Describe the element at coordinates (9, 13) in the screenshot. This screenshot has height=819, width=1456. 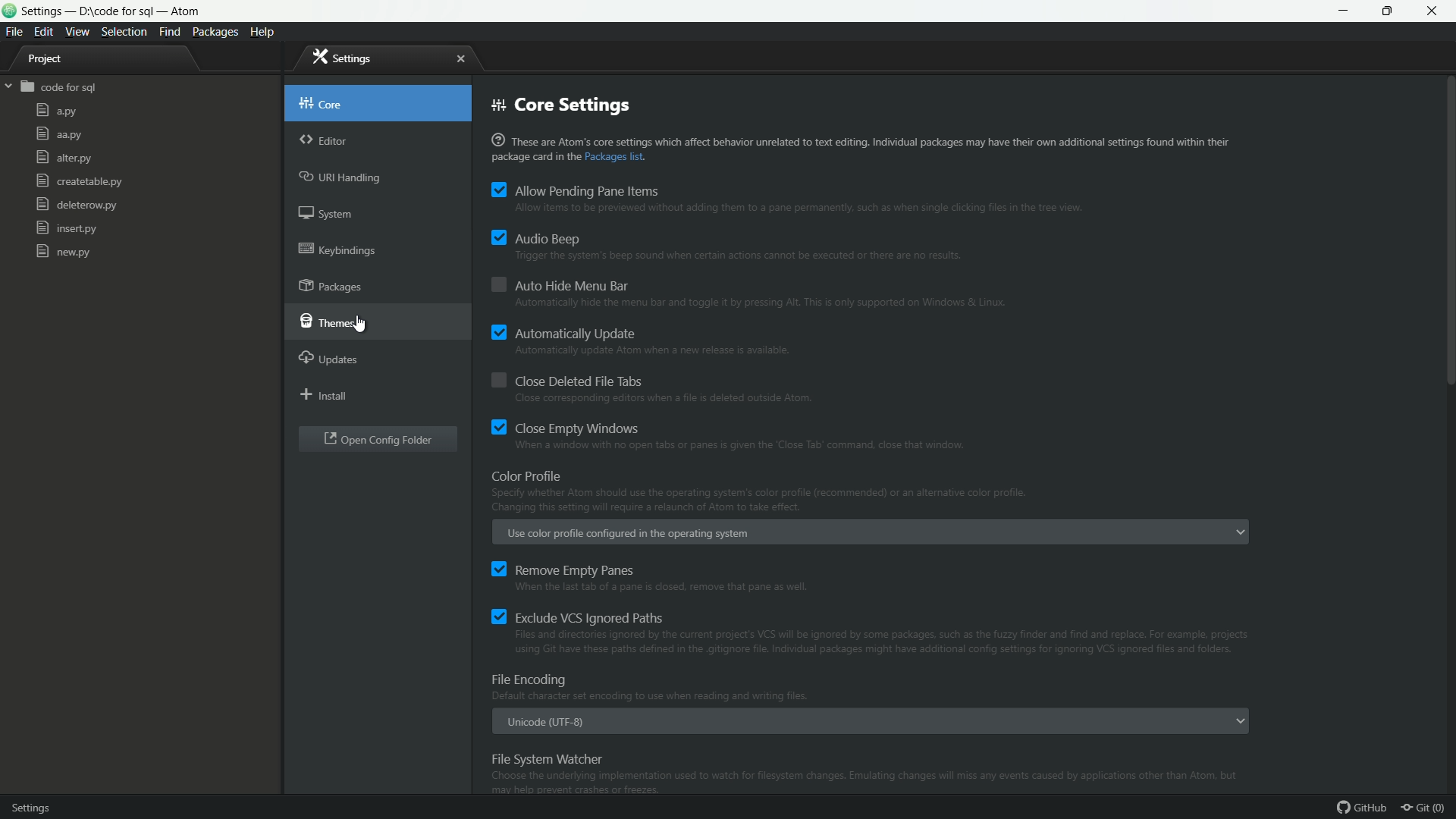
I see `logo` at that location.